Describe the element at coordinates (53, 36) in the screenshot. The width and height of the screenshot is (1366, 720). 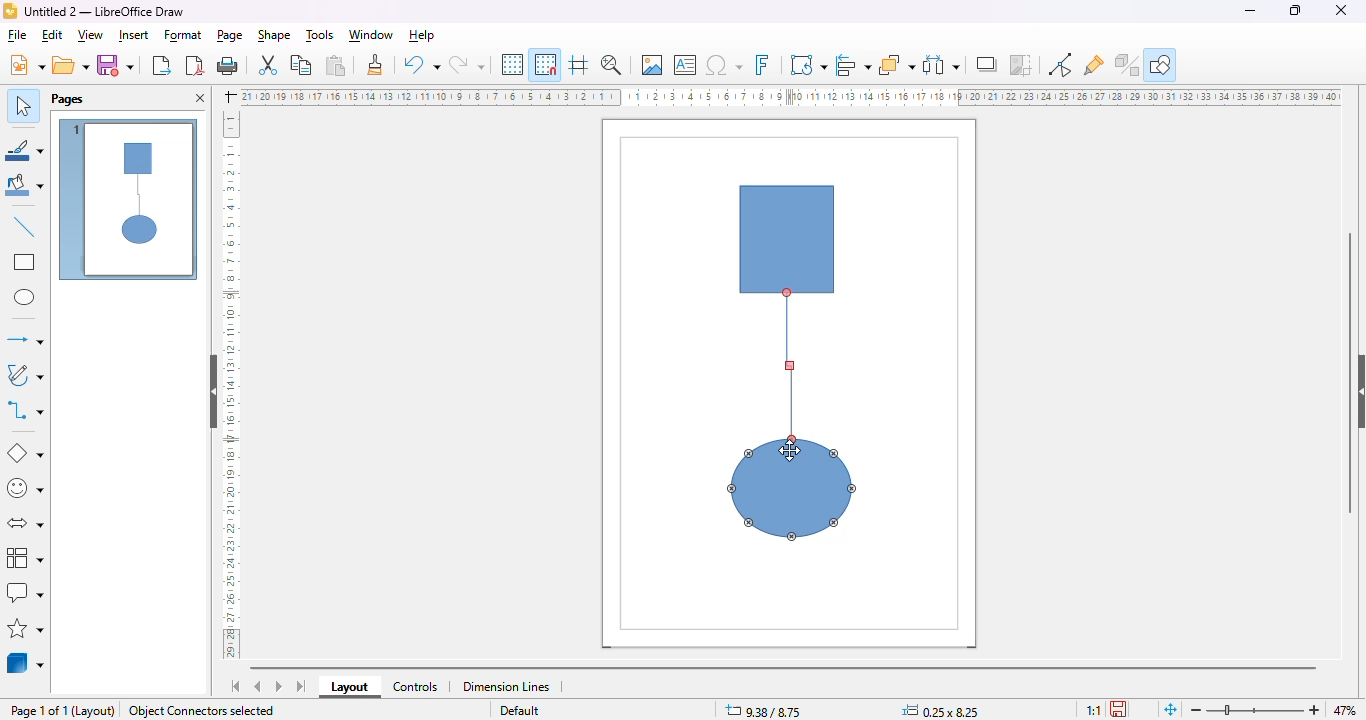
I see `edit` at that location.